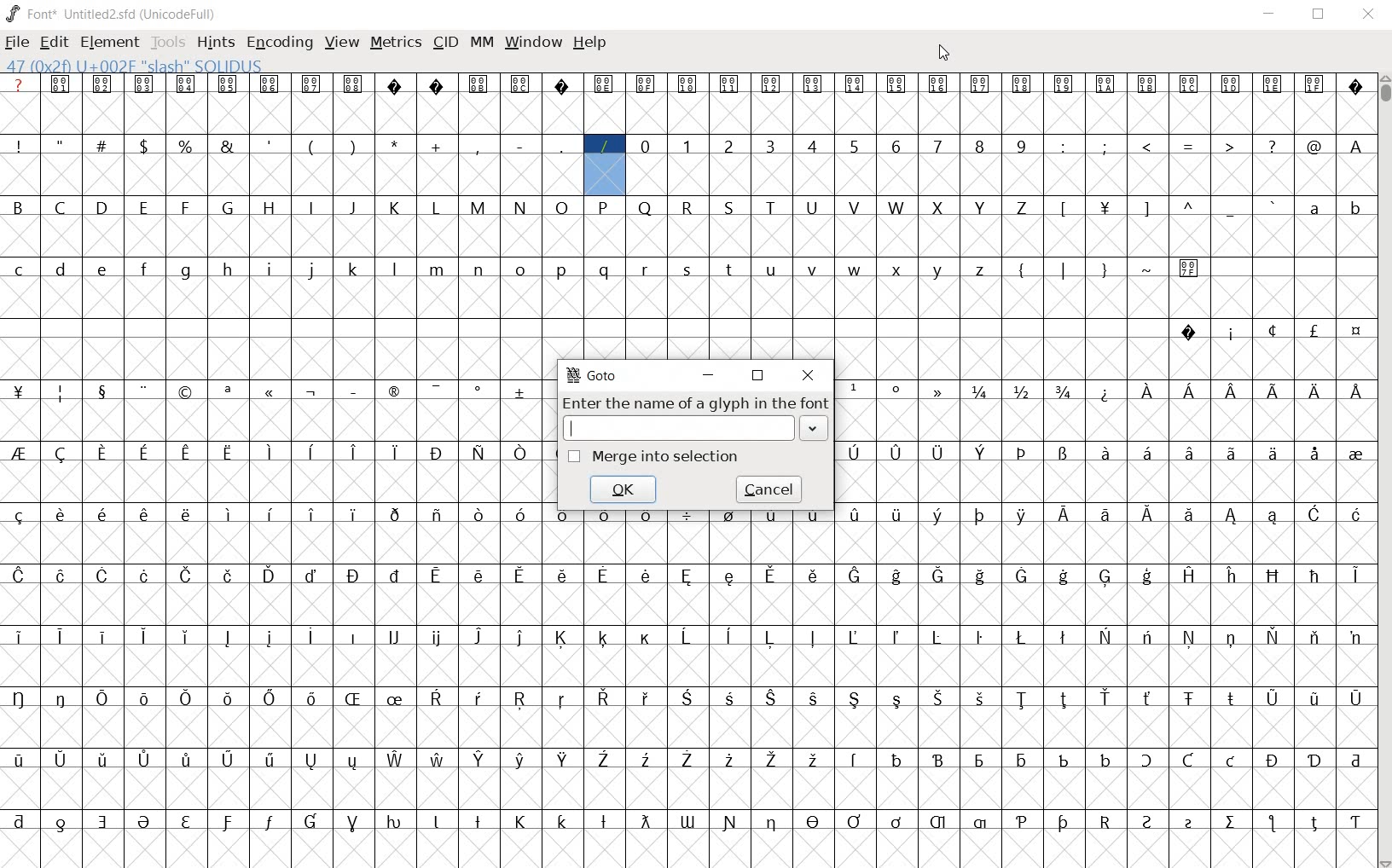 Image resolution: width=1392 pixels, height=868 pixels. Describe the element at coordinates (1315, 637) in the screenshot. I see `glyph` at that location.